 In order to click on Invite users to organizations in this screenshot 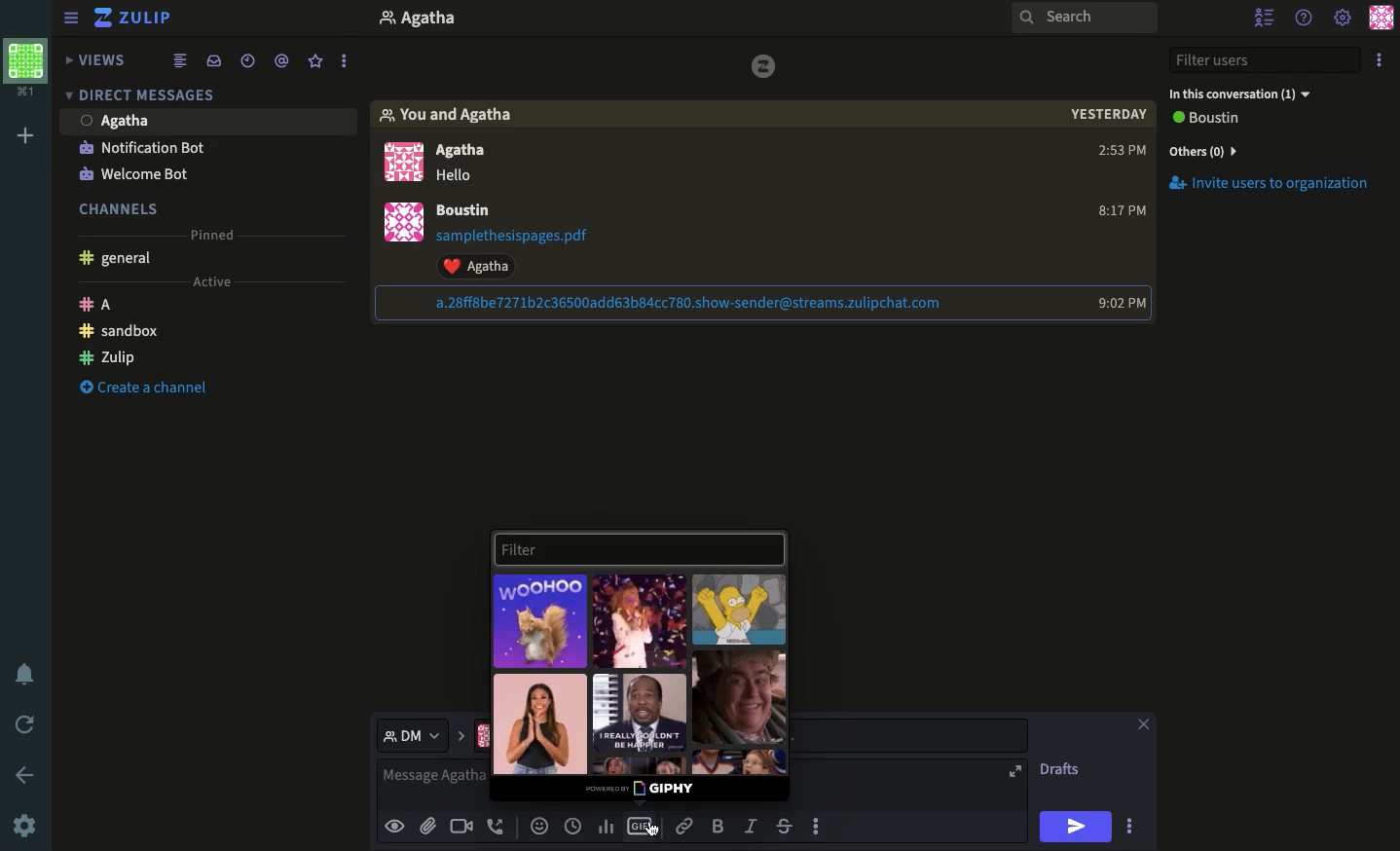, I will do `click(1275, 187)`.